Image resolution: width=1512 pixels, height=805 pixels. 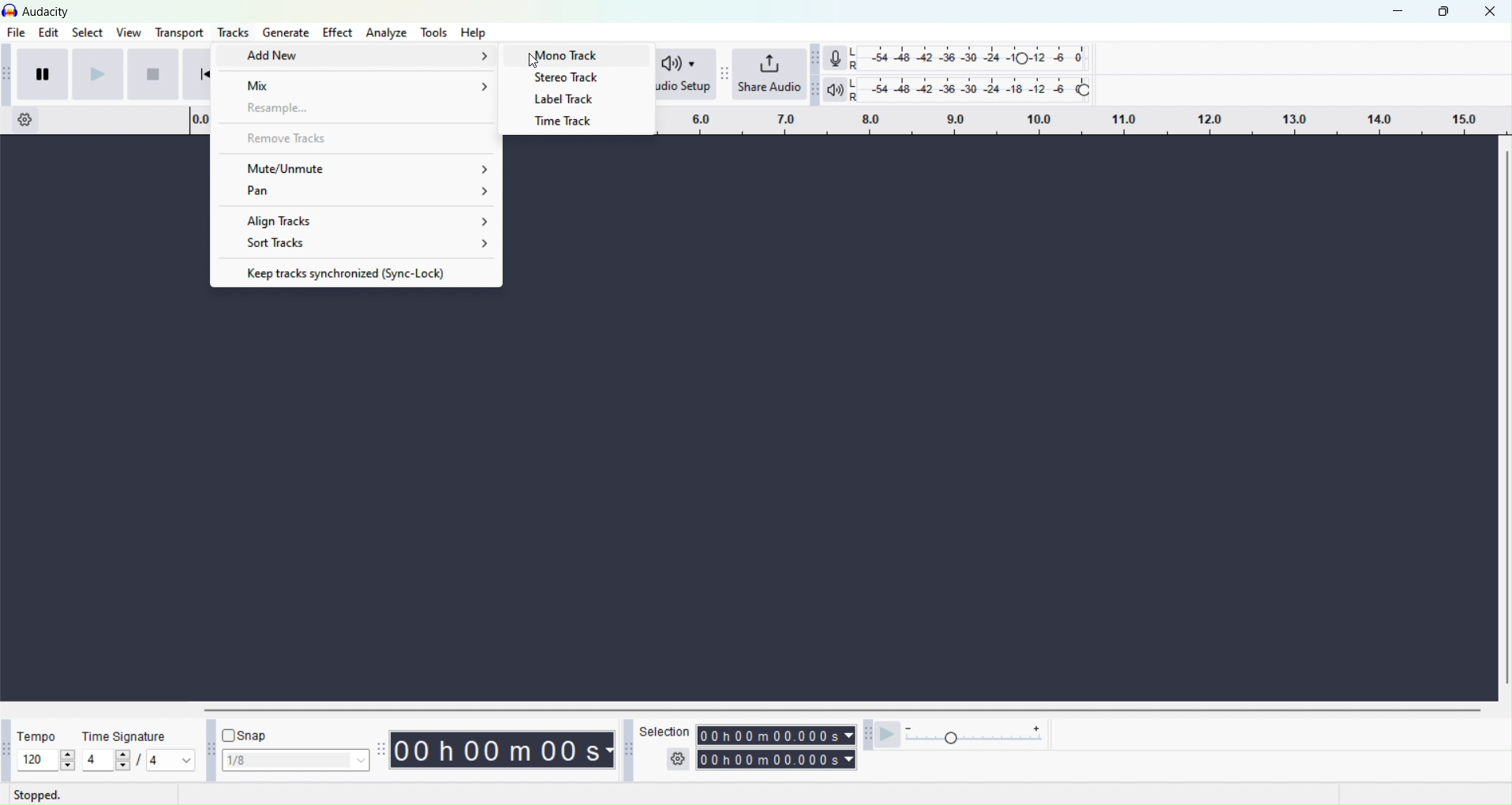 I want to click on cursor, so click(x=535, y=60).